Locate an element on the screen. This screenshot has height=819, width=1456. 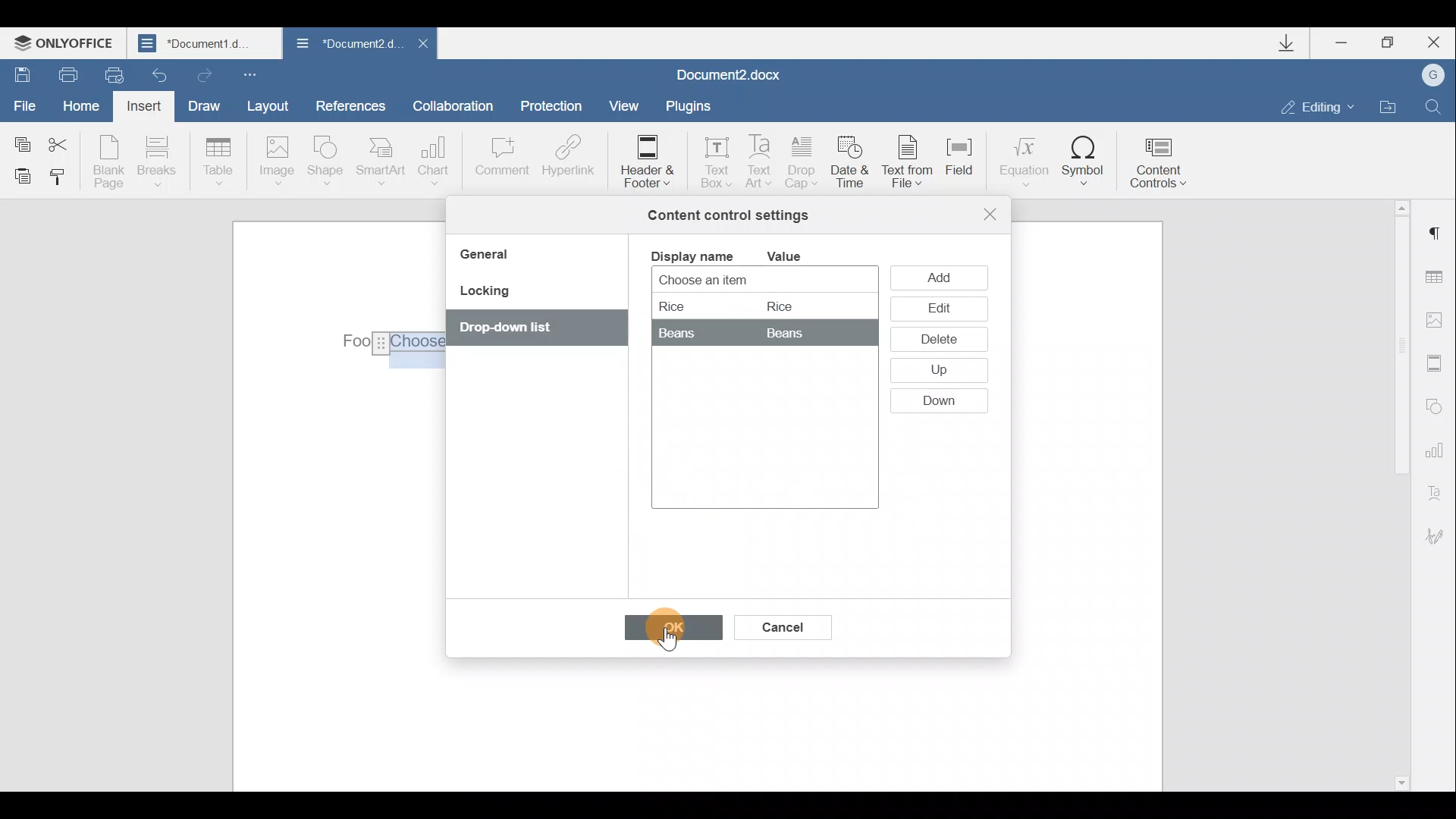
Paste is located at coordinates (17, 175).